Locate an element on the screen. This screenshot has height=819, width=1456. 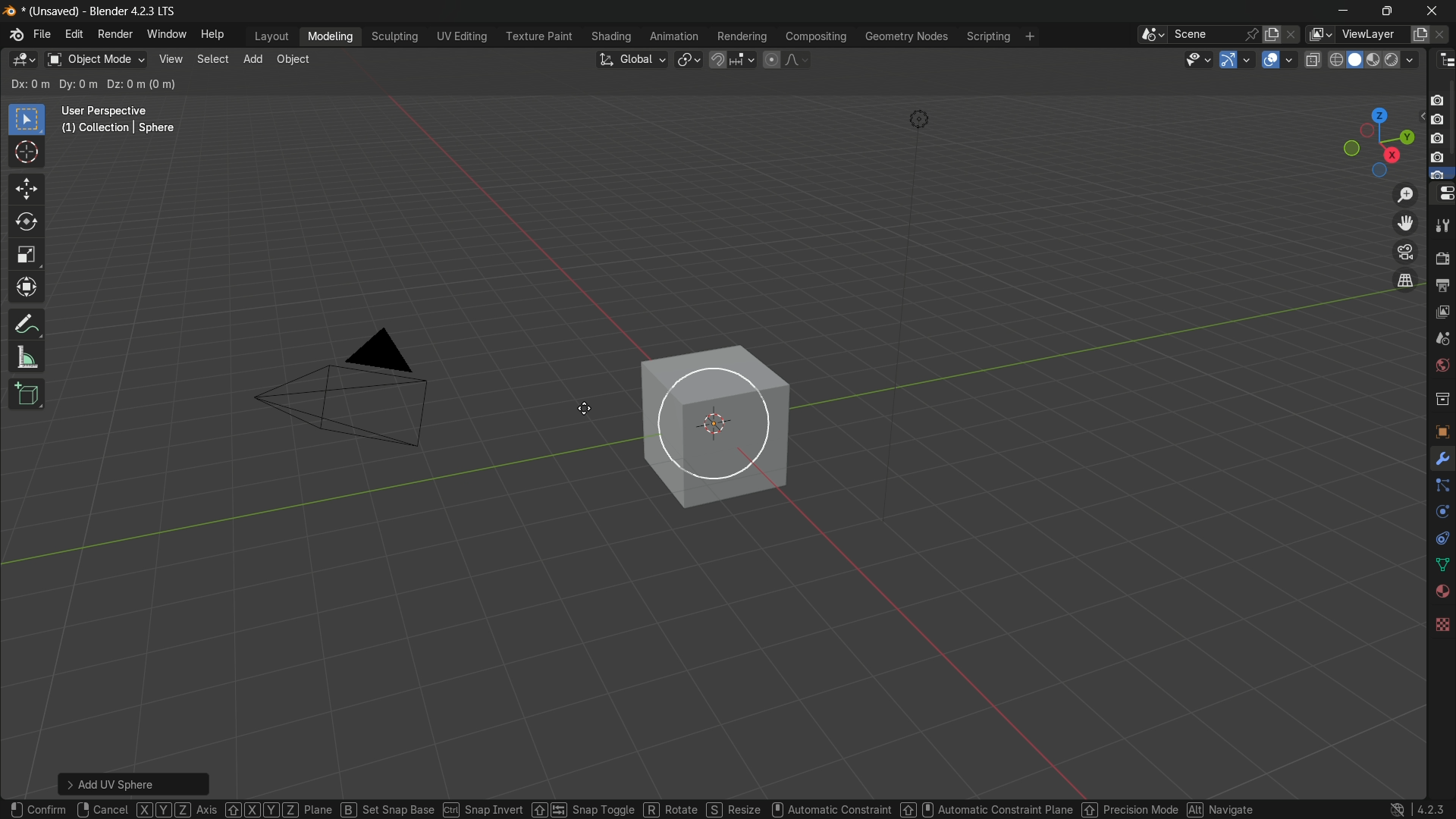
add new layer is located at coordinates (1421, 35).